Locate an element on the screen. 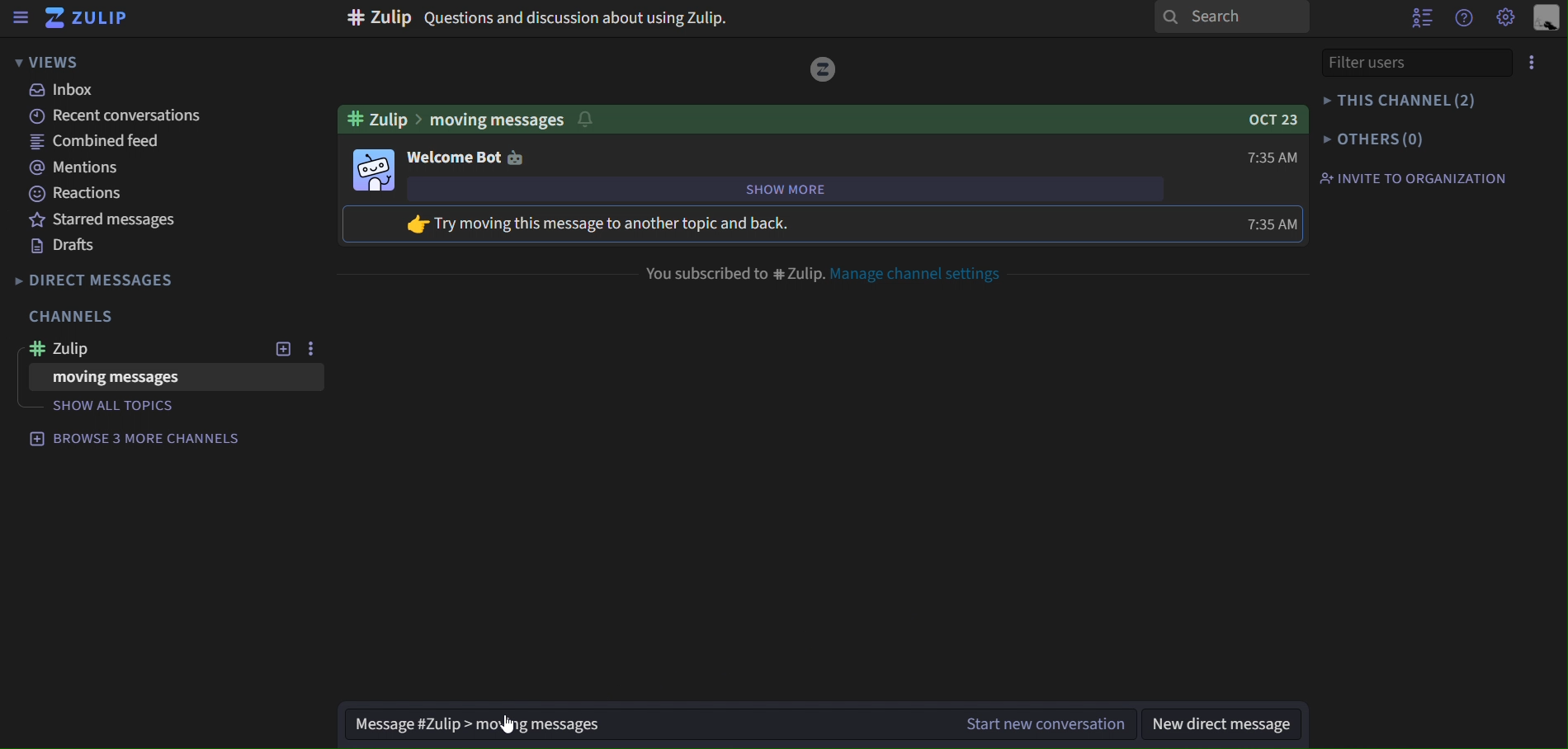 Image resolution: width=1568 pixels, height=749 pixels. 7:35 AM is located at coordinates (1275, 224).